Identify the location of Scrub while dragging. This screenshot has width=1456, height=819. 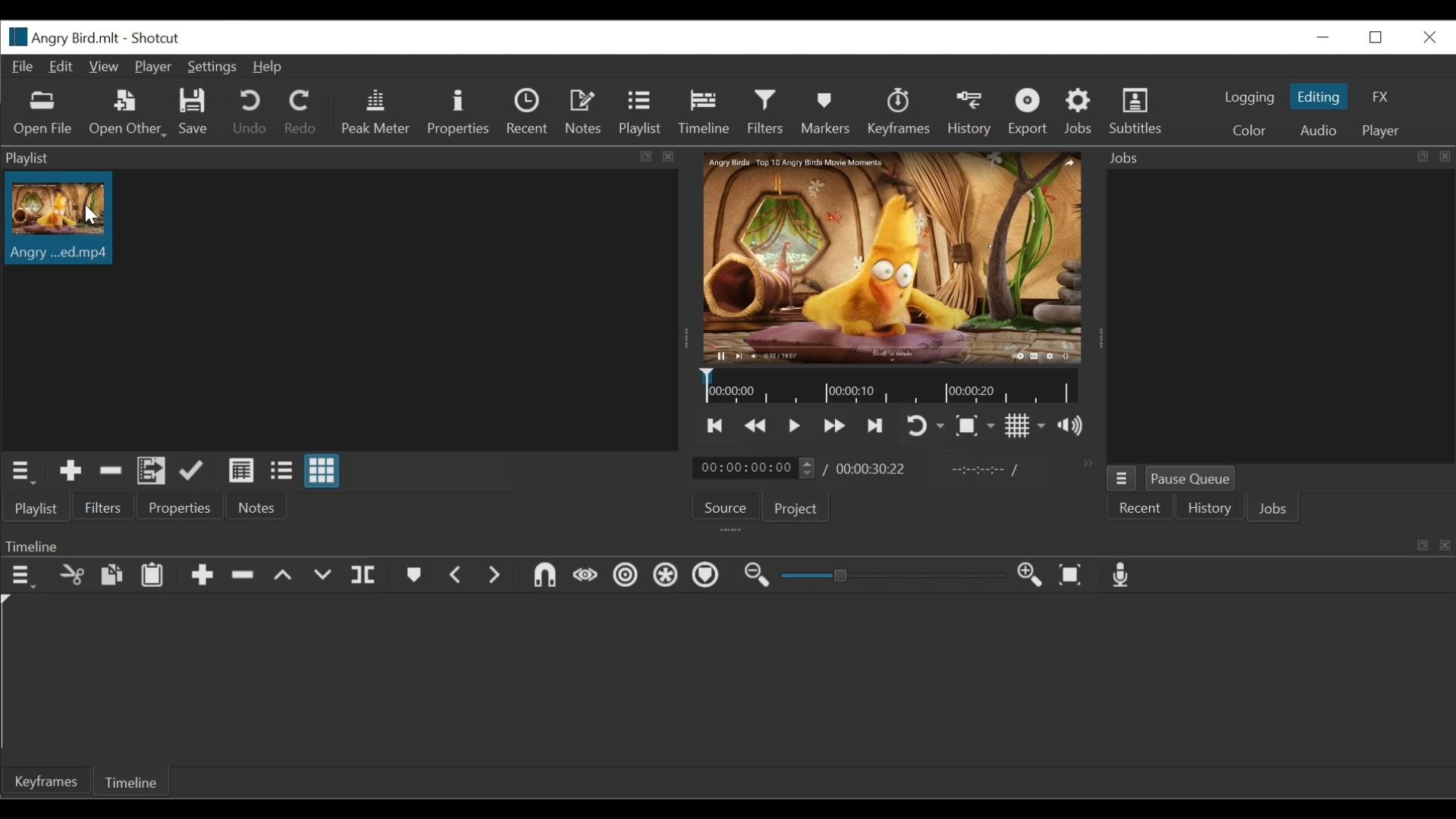
(586, 578).